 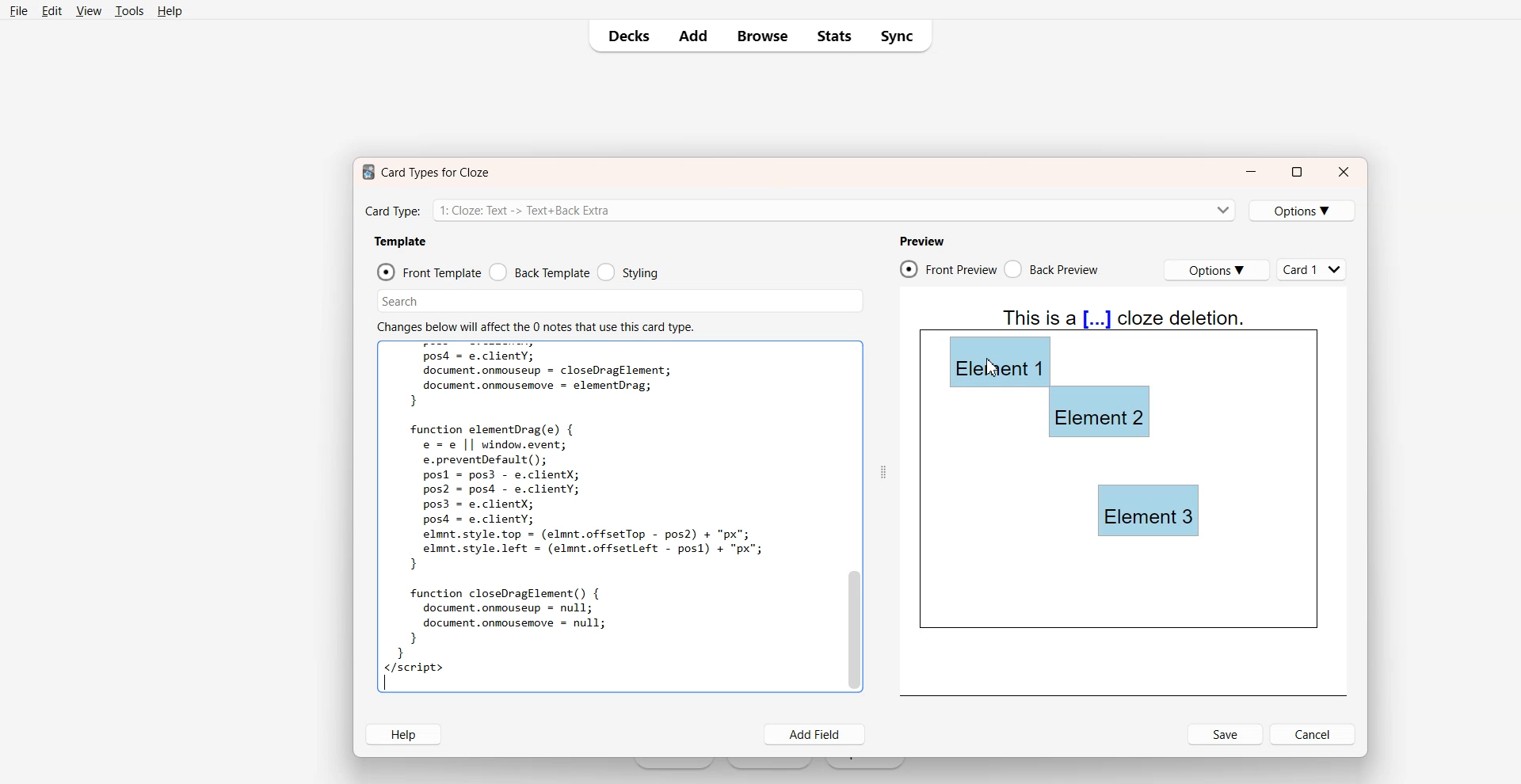 What do you see at coordinates (998, 360) in the screenshot?
I see `Element 1` at bounding box center [998, 360].